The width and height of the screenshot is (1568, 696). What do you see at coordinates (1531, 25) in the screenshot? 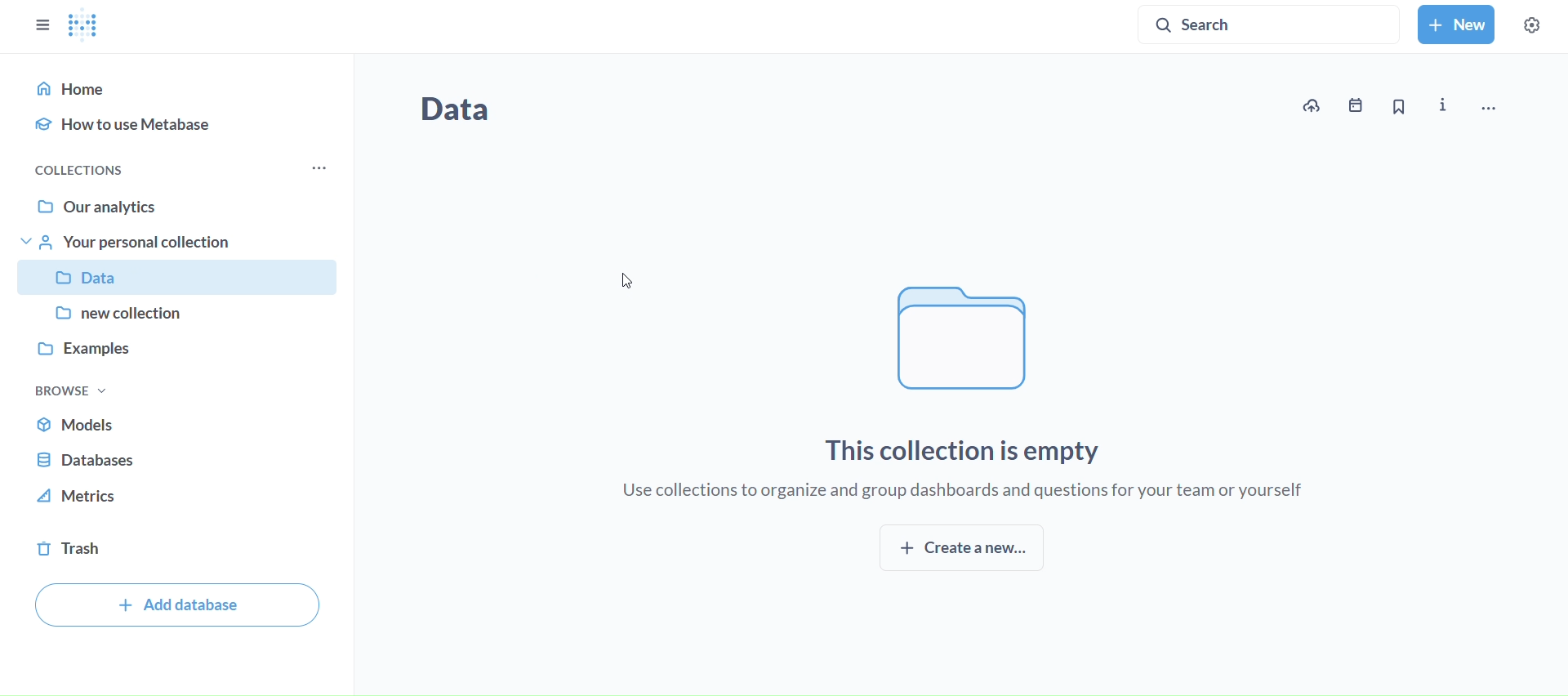
I see `settings` at bounding box center [1531, 25].